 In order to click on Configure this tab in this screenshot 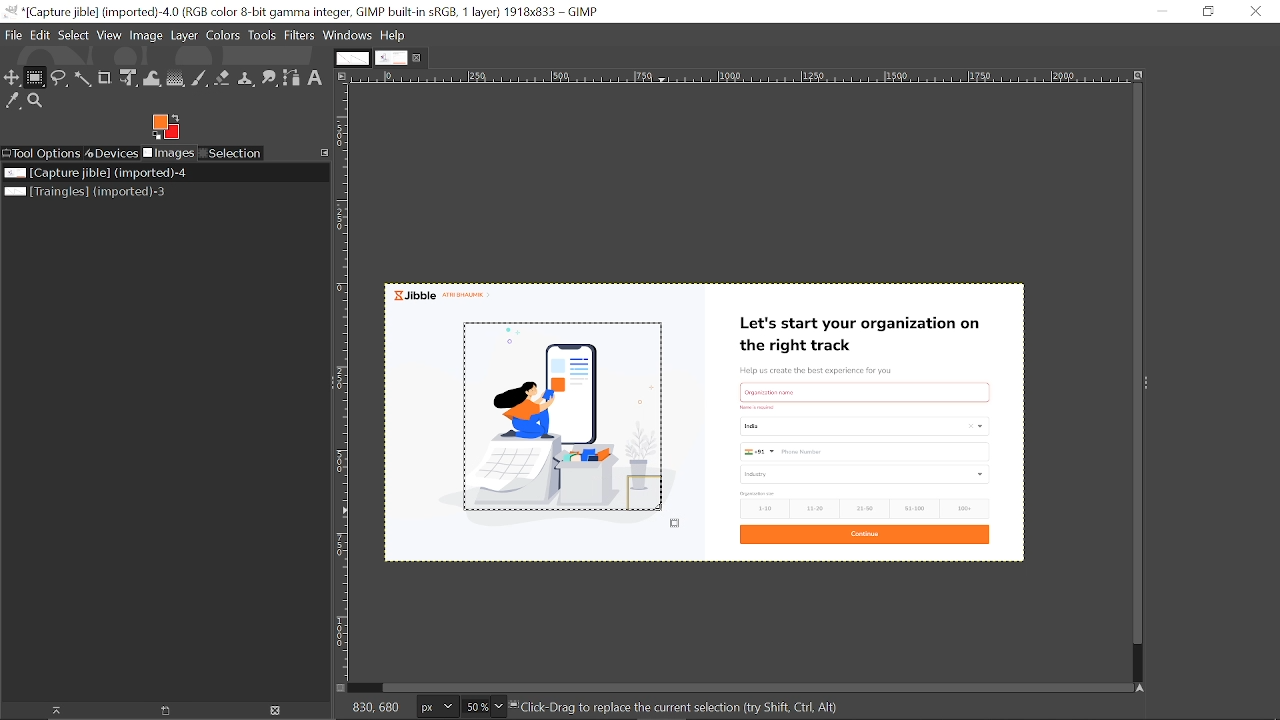, I will do `click(324, 153)`.